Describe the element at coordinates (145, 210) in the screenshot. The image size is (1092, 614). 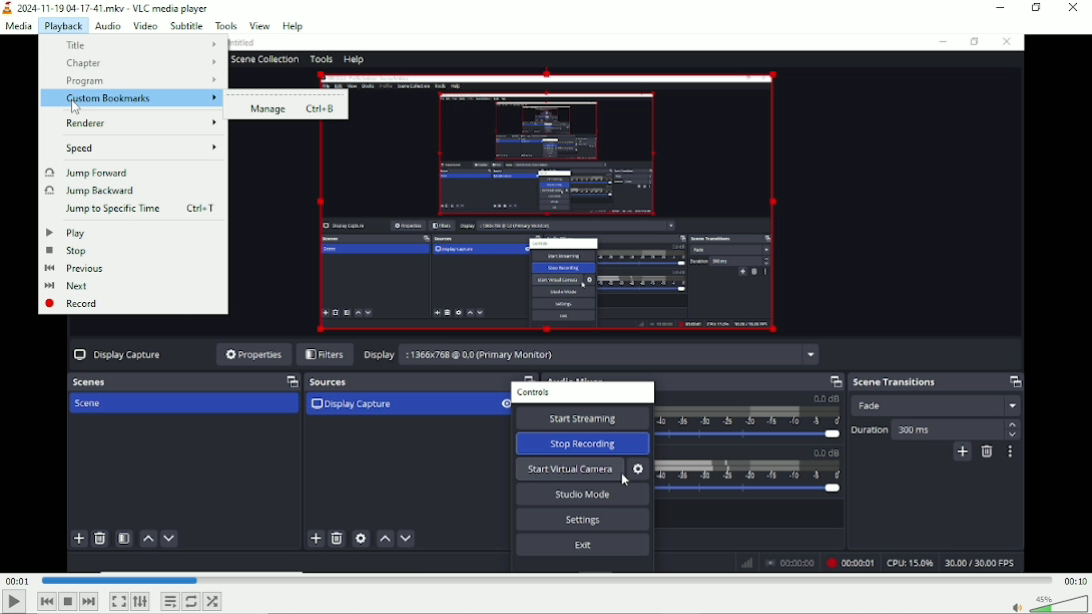
I see `Jump to specific time` at that location.